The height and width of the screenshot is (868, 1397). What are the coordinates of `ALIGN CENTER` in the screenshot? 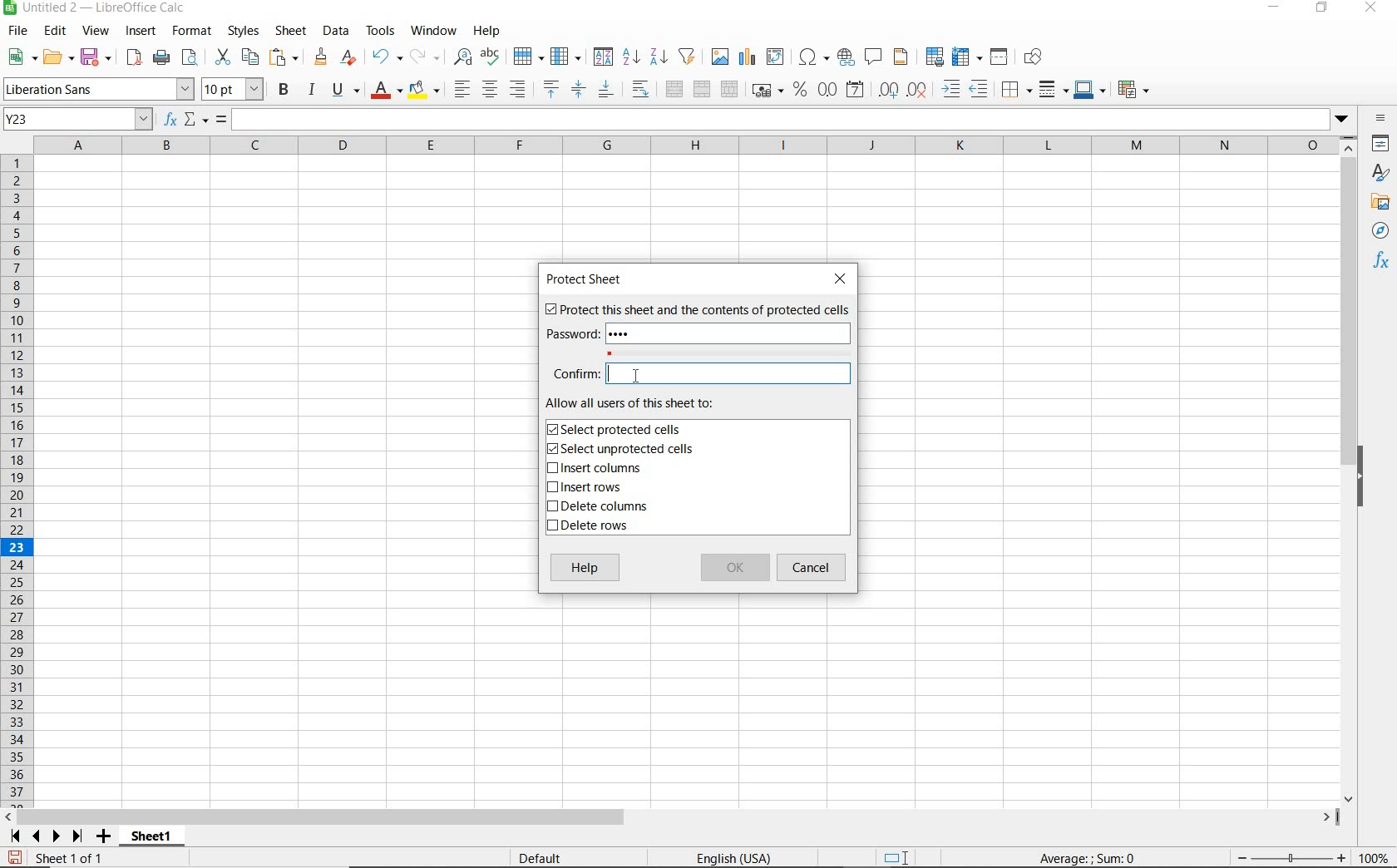 It's located at (490, 91).